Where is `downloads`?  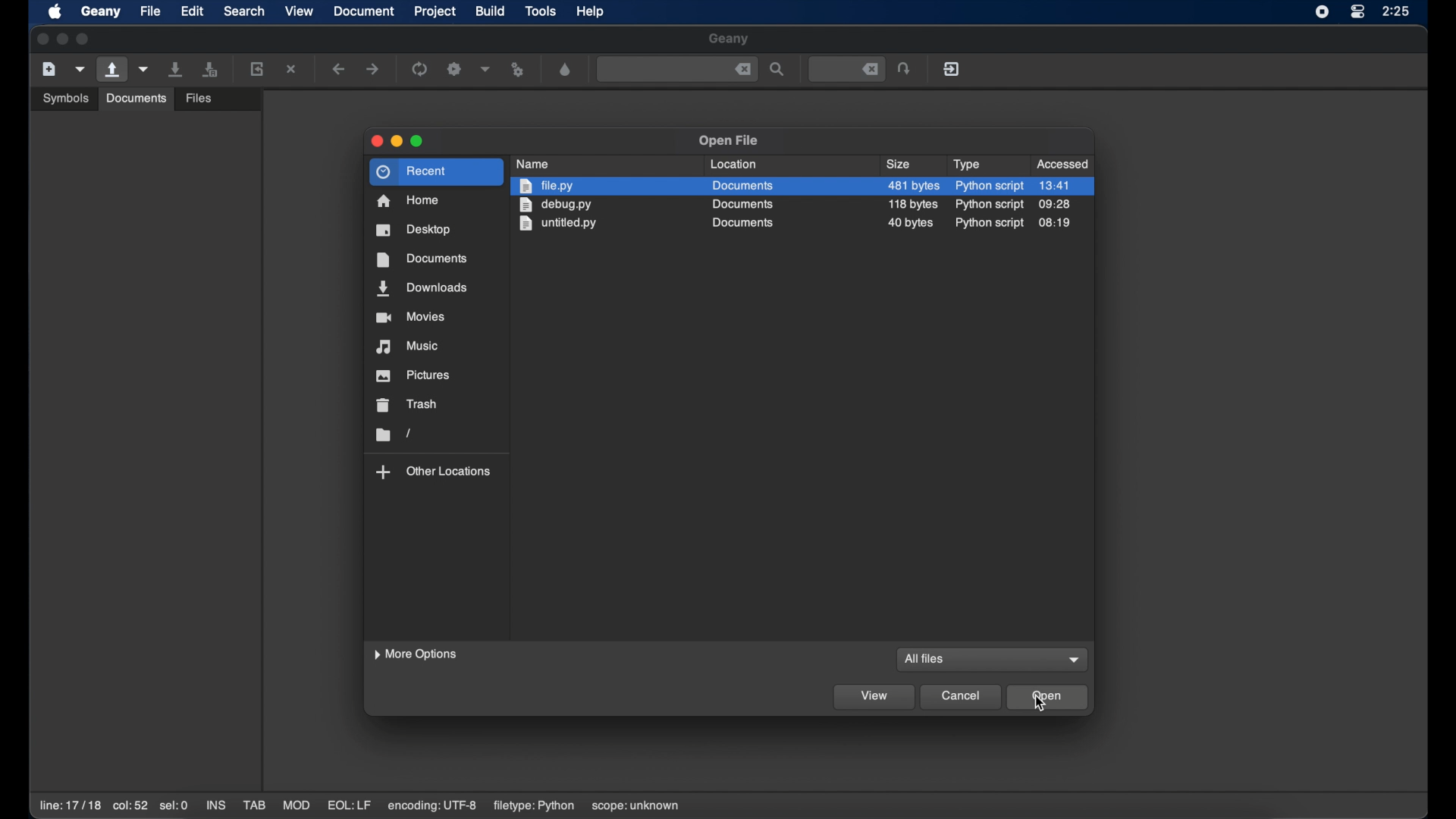
downloads is located at coordinates (422, 288).